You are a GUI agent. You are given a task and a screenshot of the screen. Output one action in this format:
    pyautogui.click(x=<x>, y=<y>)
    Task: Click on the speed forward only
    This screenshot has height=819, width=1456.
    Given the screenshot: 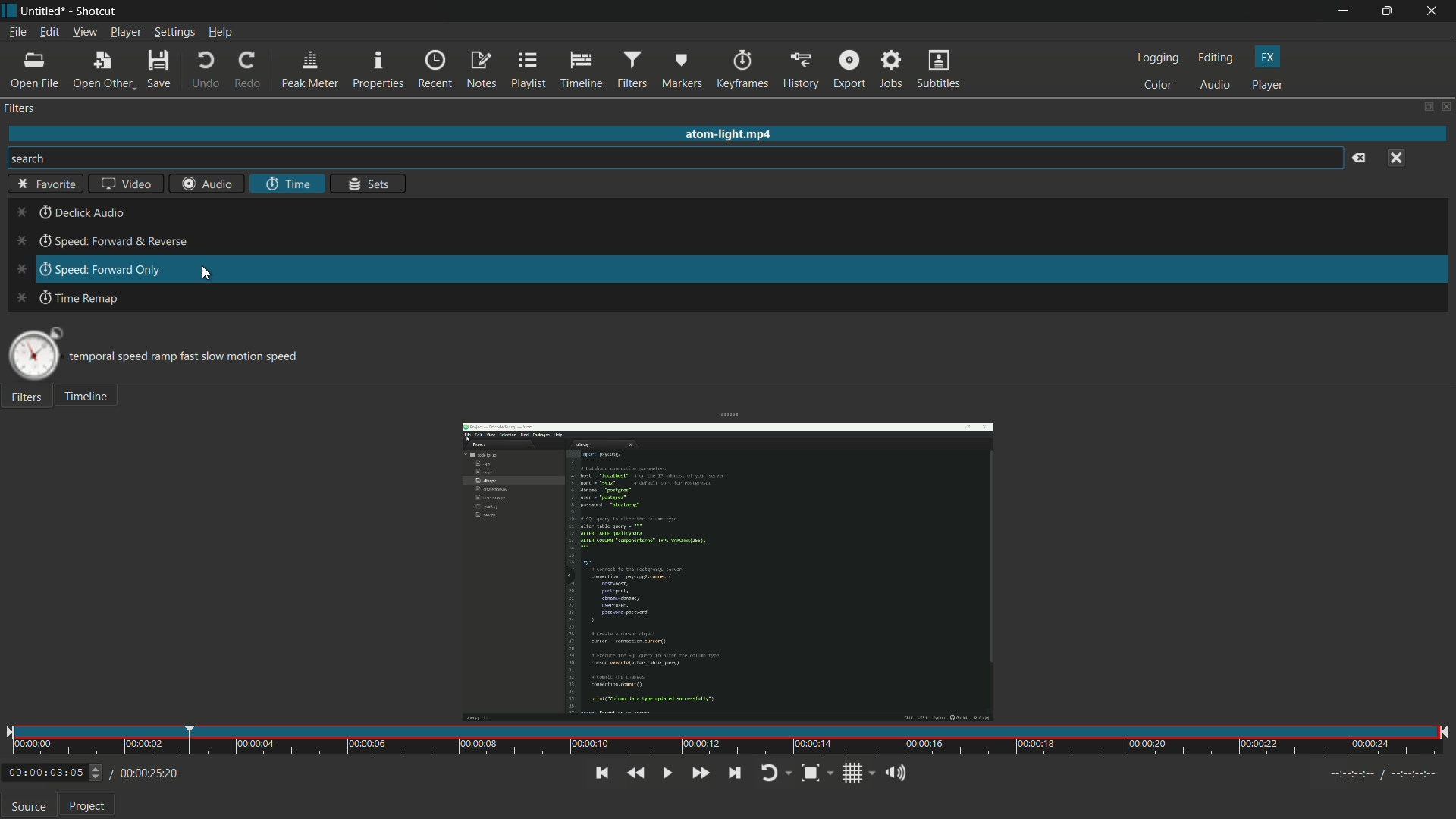 What is the action you would take?
    pyautogui.click(x=83, y=270)
    